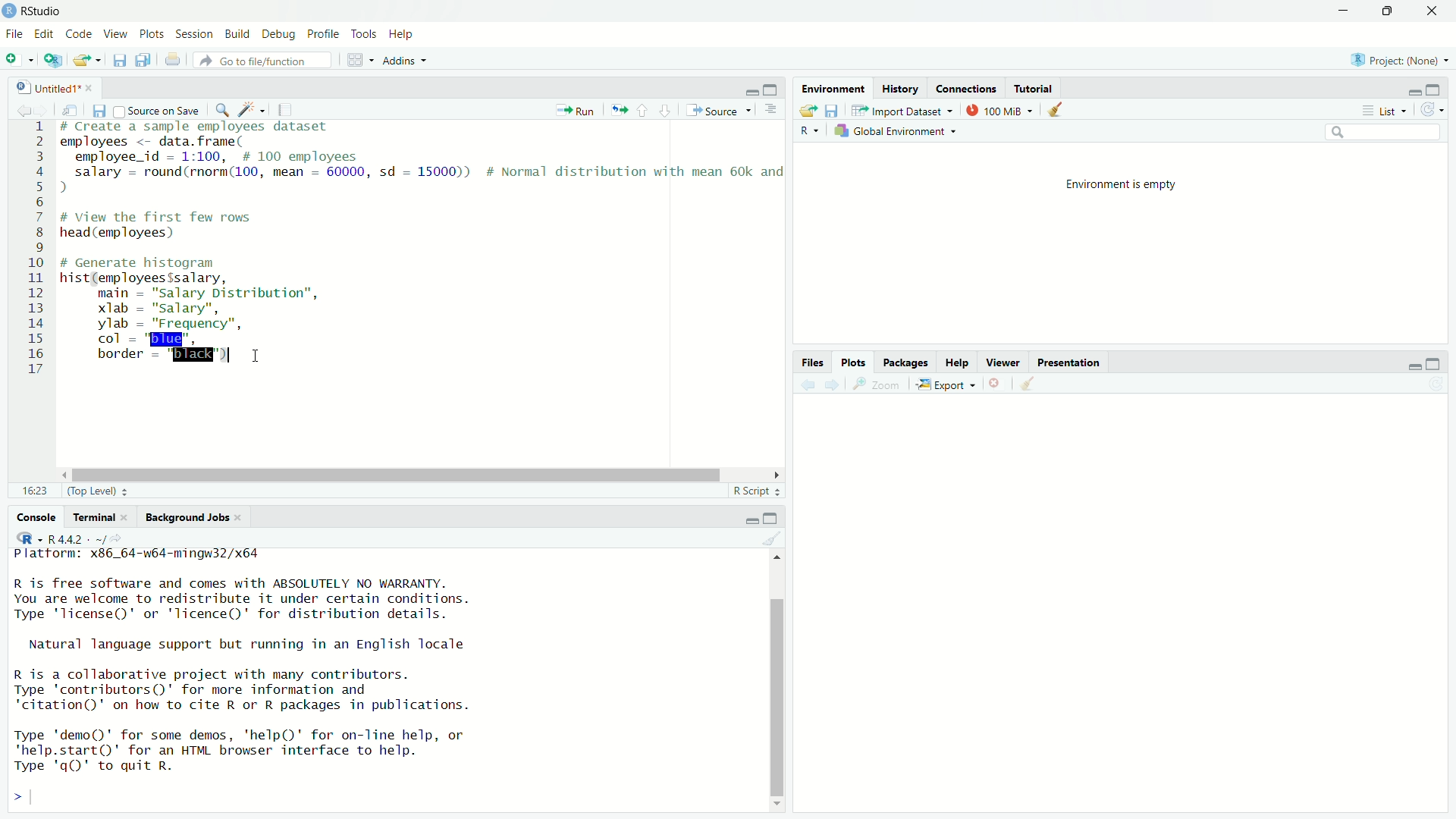 The width and height of the screenshot is (1456, 819). I want to click on Viewer, so click(1003, 362).